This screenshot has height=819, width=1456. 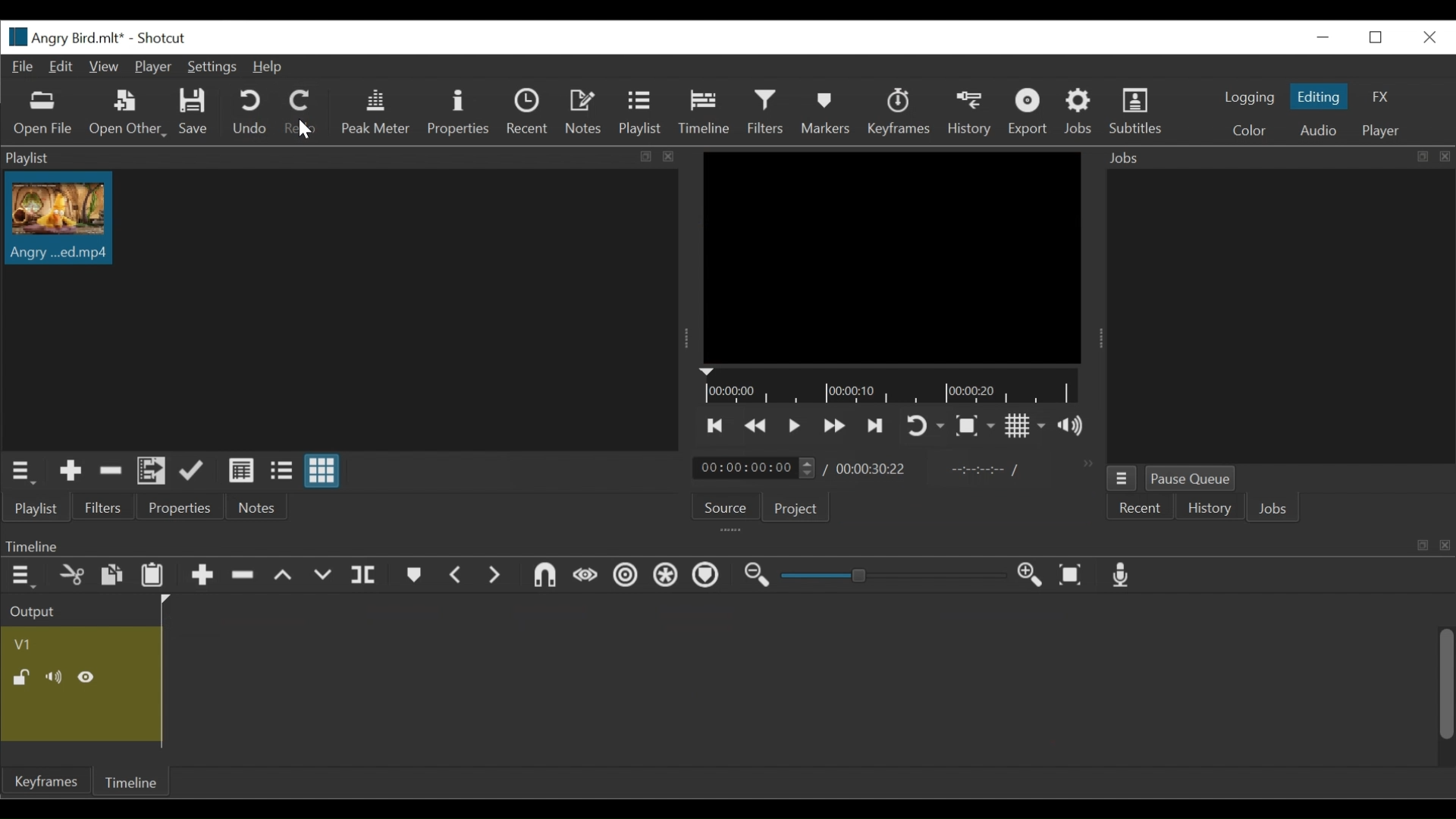 What do you see at coordinates (717, 425) in the screenshot?
I see `Skip to the next point` at bounding box center [717, 425].